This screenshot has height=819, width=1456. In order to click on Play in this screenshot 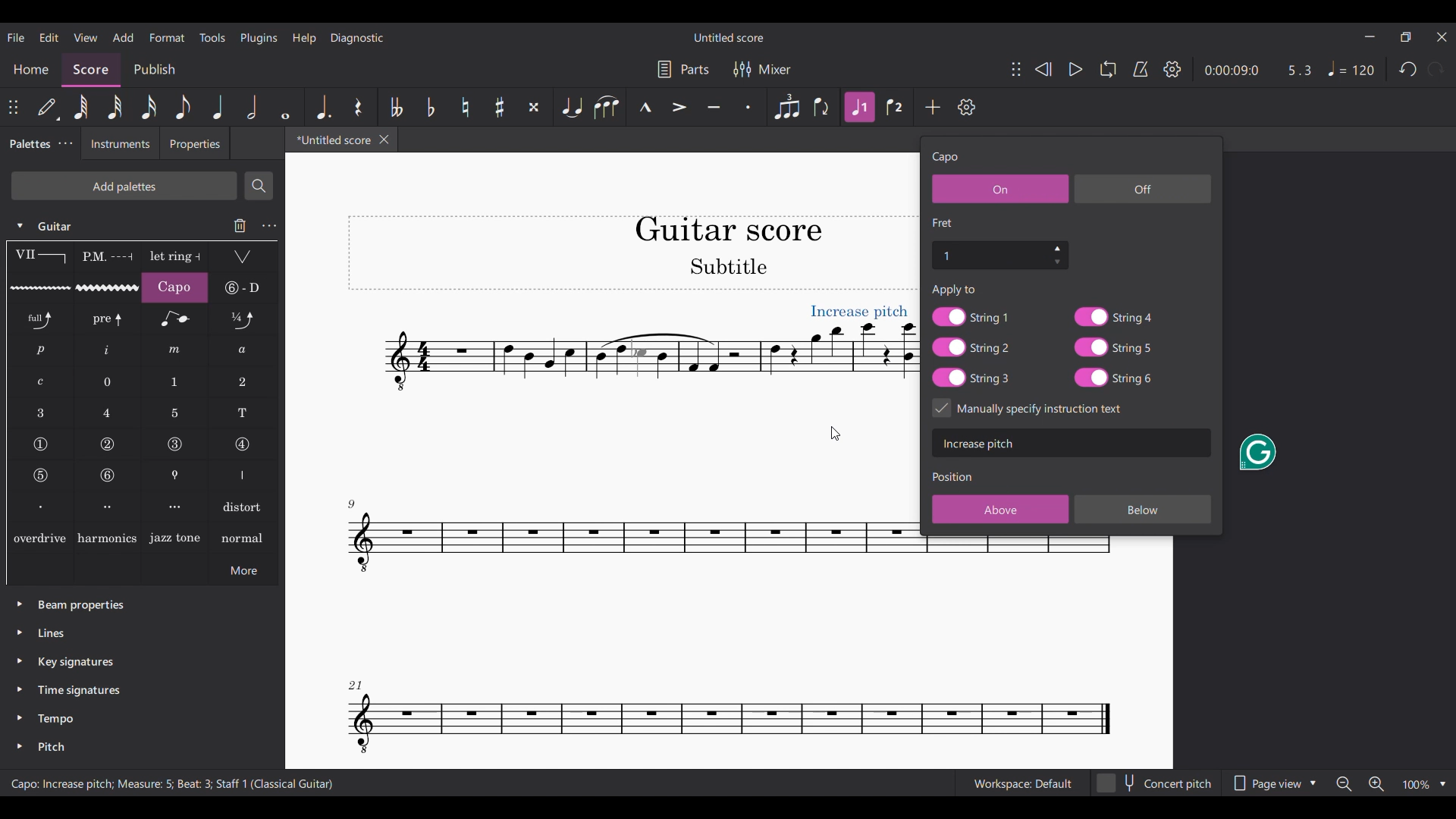, I will do `click(1076, 70)`.